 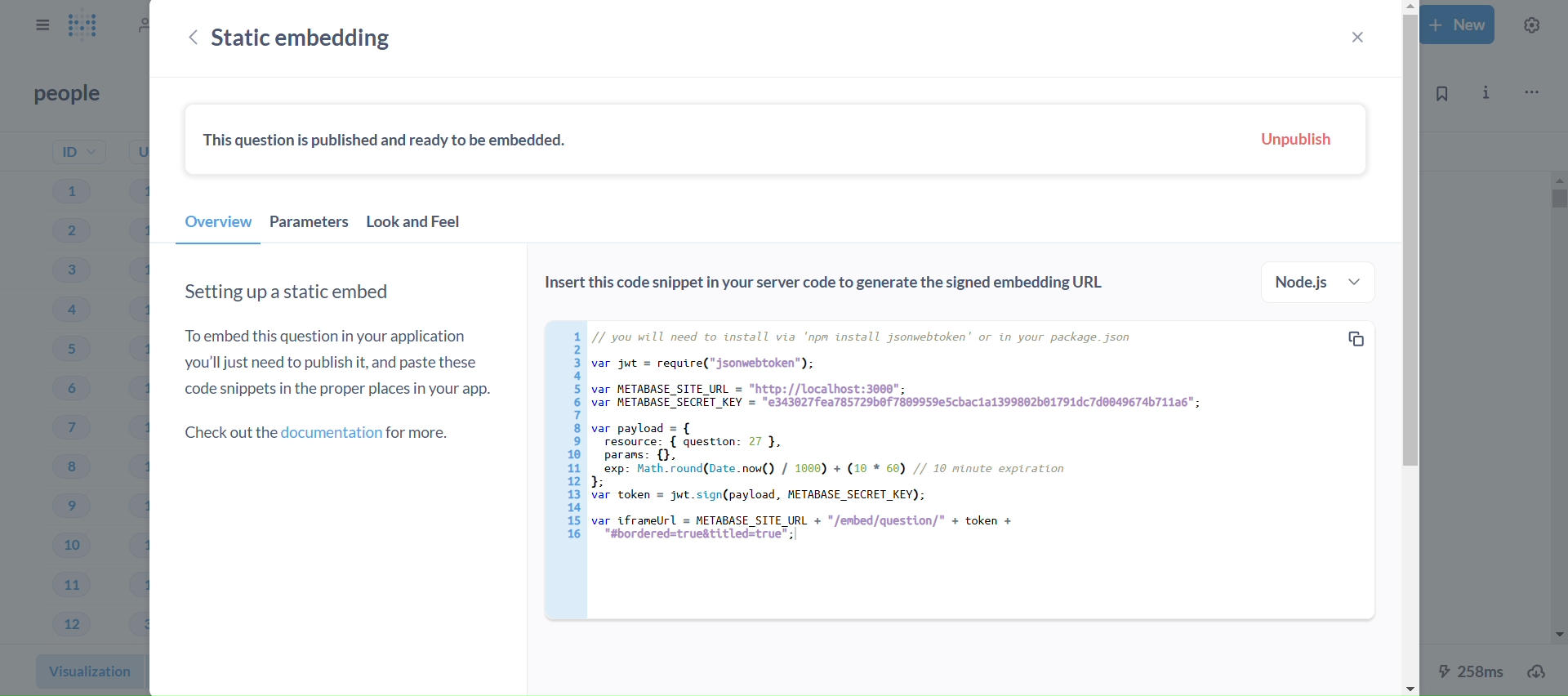 I want to click on back , so click(x=188, y=39).